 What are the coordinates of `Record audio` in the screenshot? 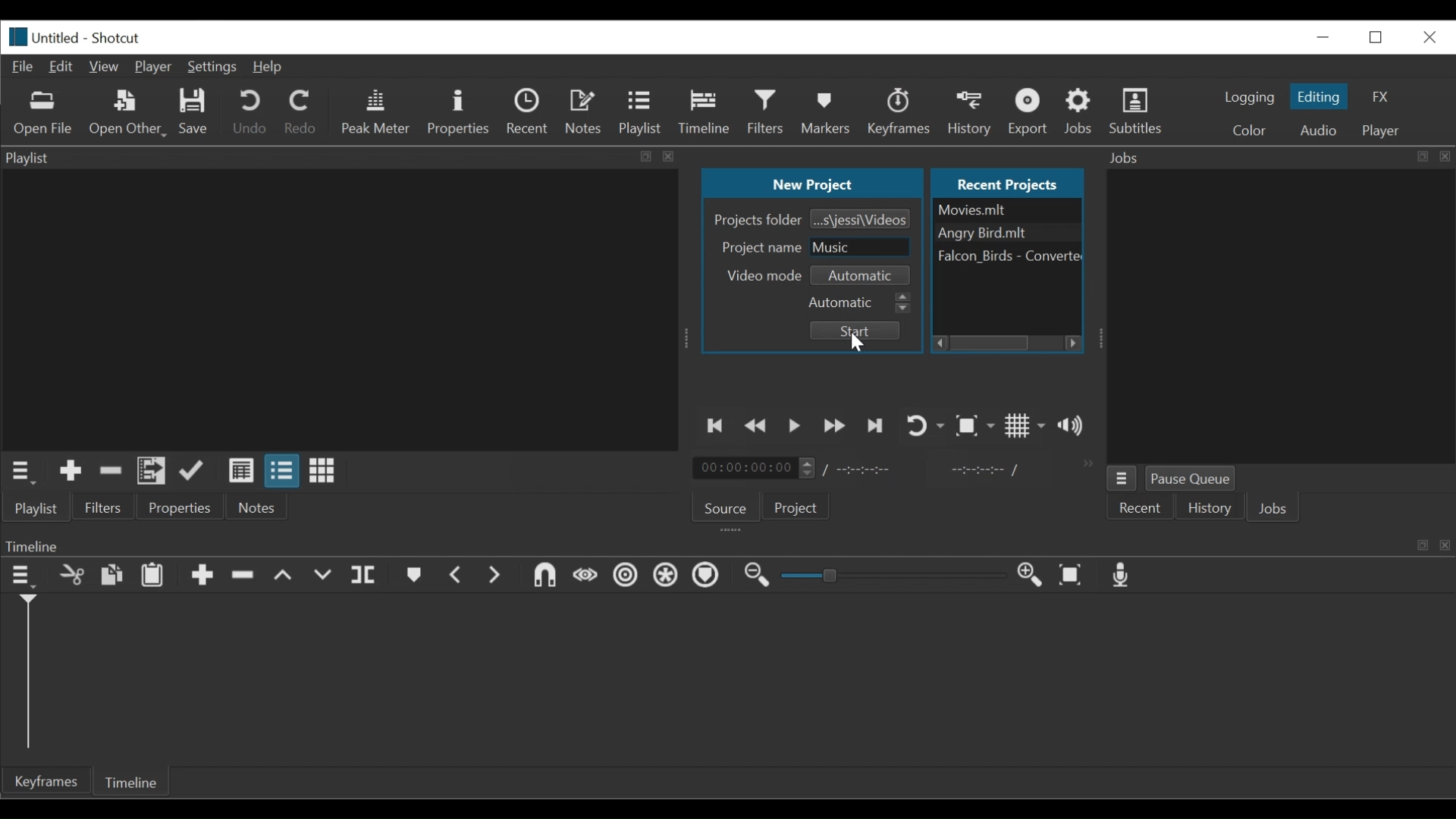 It's located at (1122, 573).